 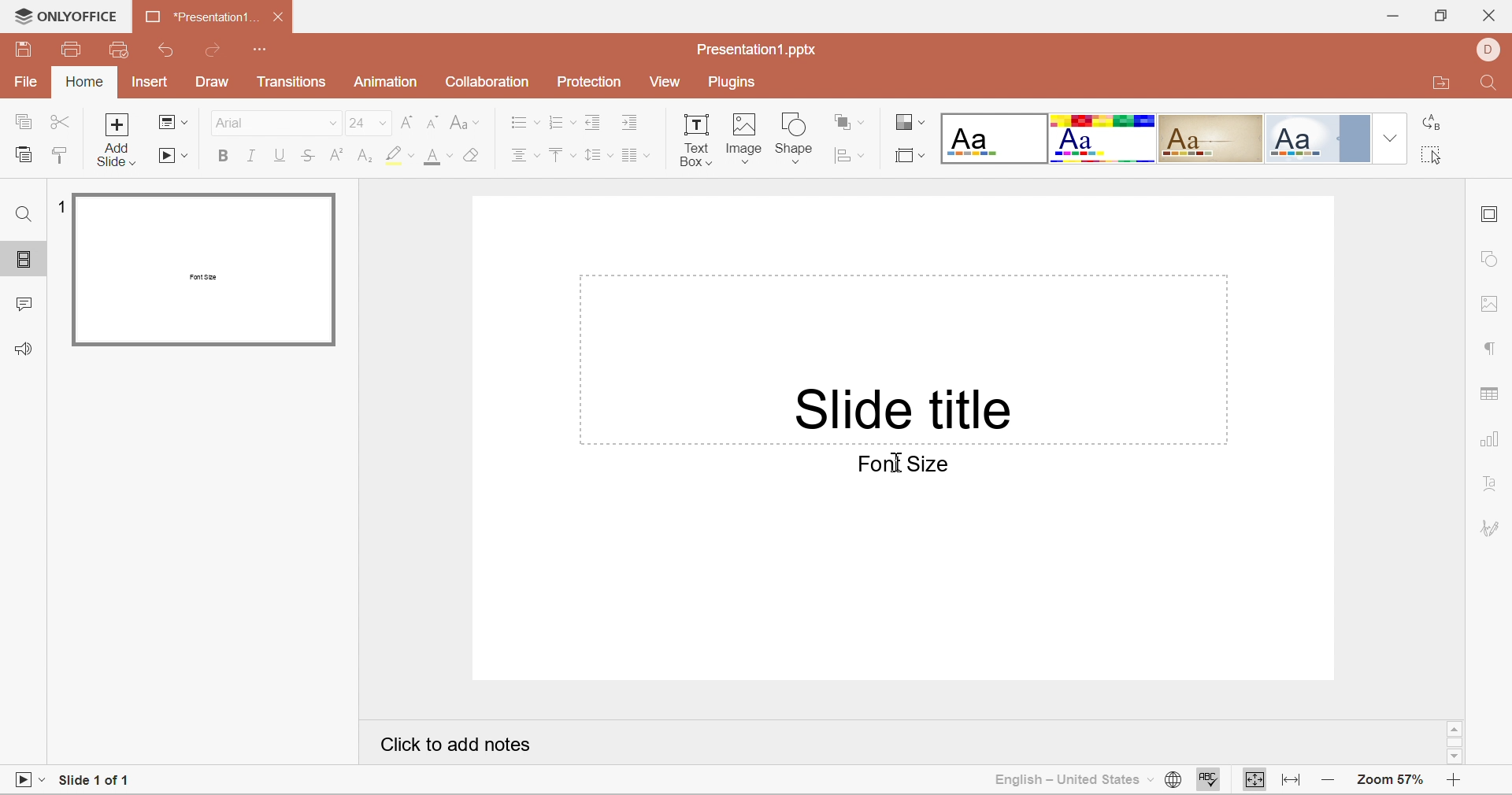 What do you see at coordinates (1067, 782) in the screenshot?
I see `English - United States` at bounding box center [1067, 782].